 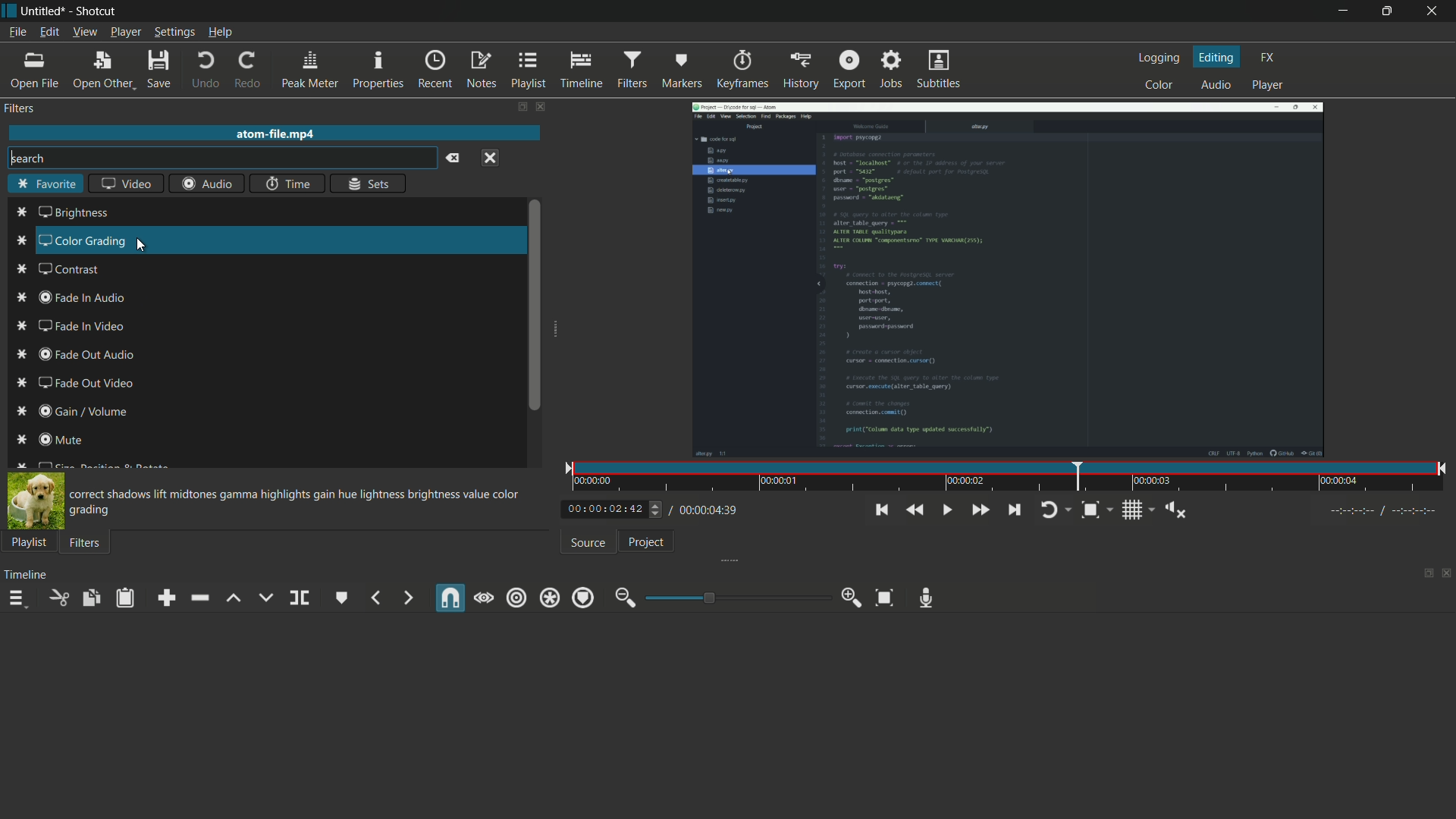 What do you see at coordinates (1054, 508) in the screenshot?
I see `toggle player looping` at bounding box center [1054, 508].